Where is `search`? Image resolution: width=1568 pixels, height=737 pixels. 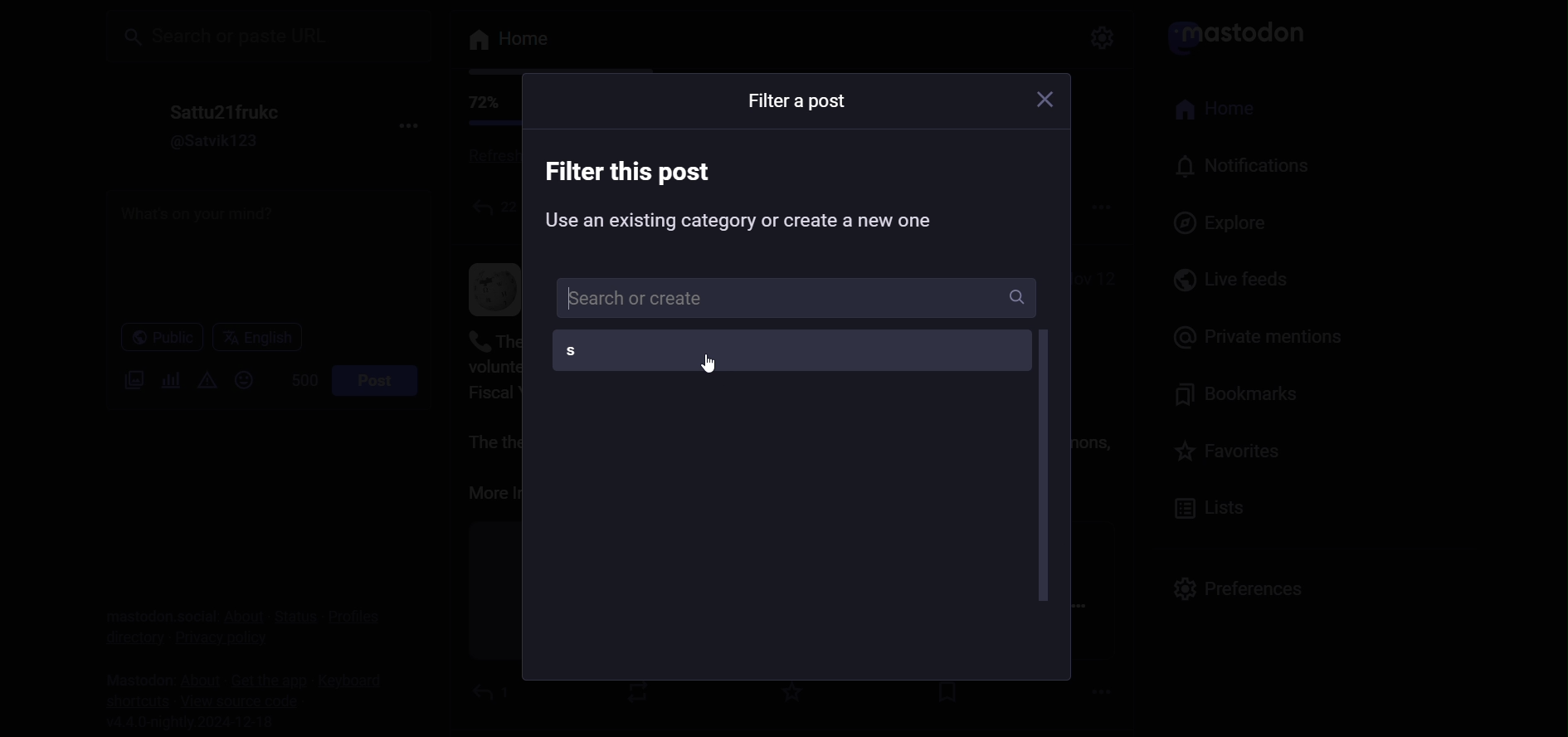
search is located at coordinates (267, 34).